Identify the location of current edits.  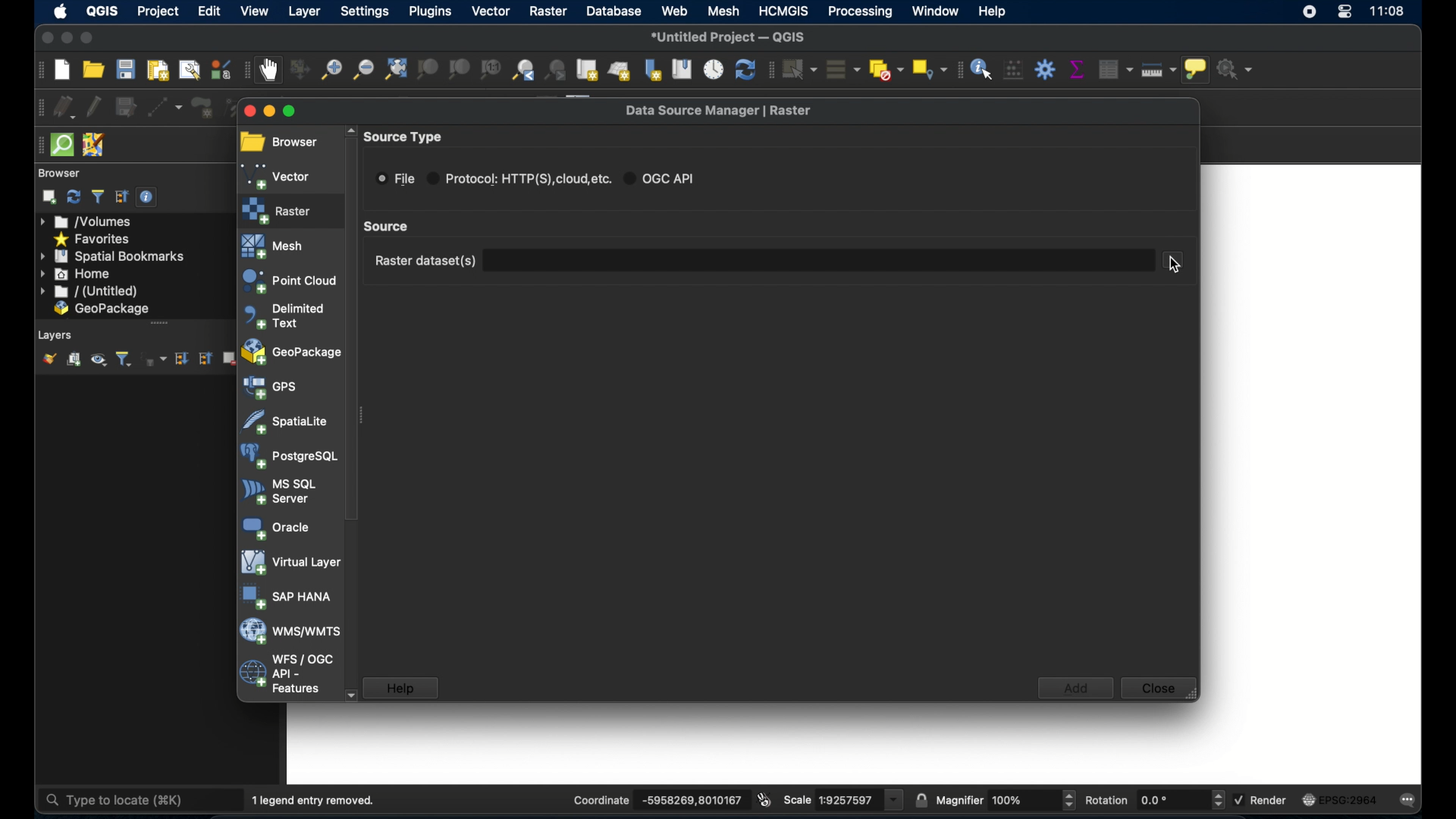
(64, 107).